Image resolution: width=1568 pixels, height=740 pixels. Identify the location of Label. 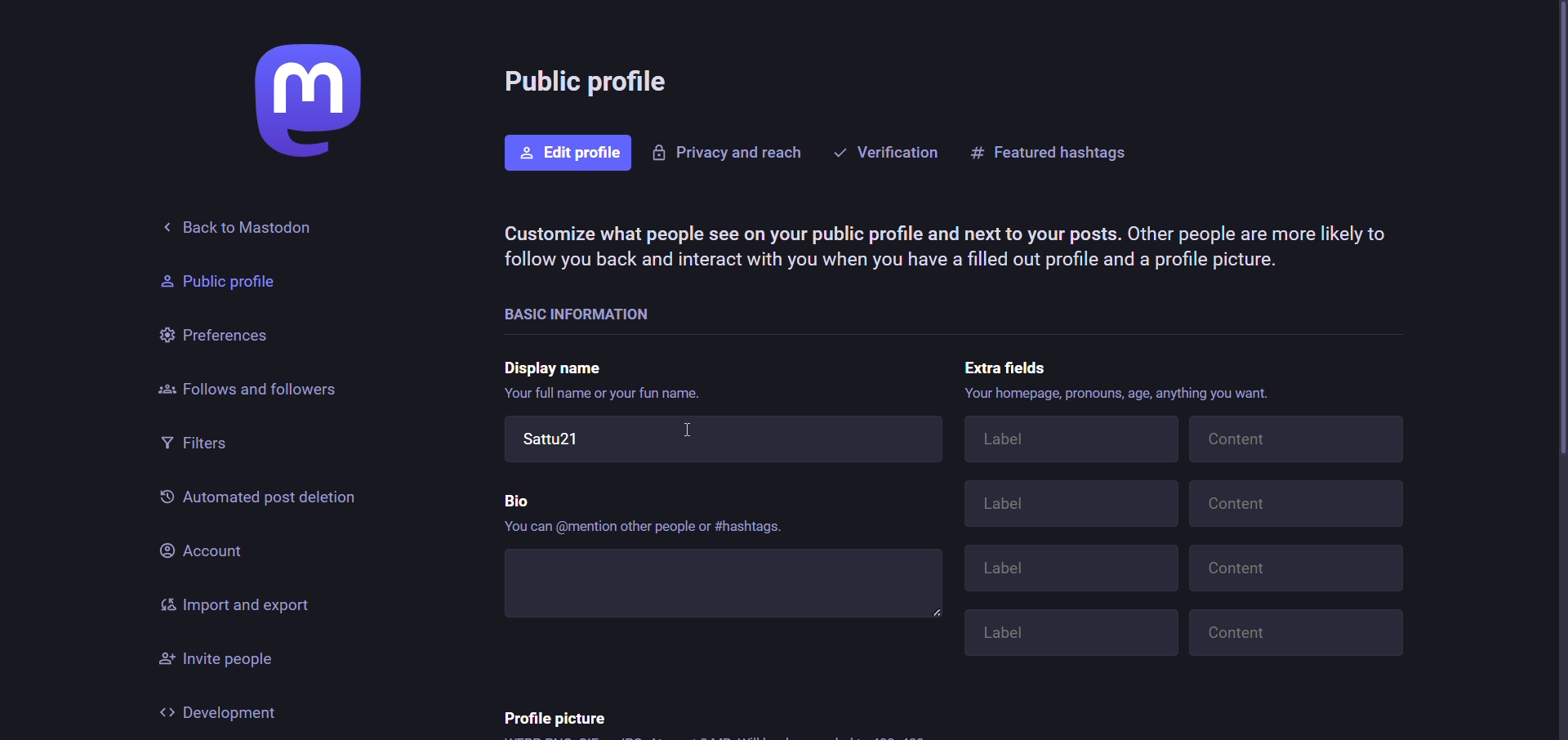
(1066, 438).